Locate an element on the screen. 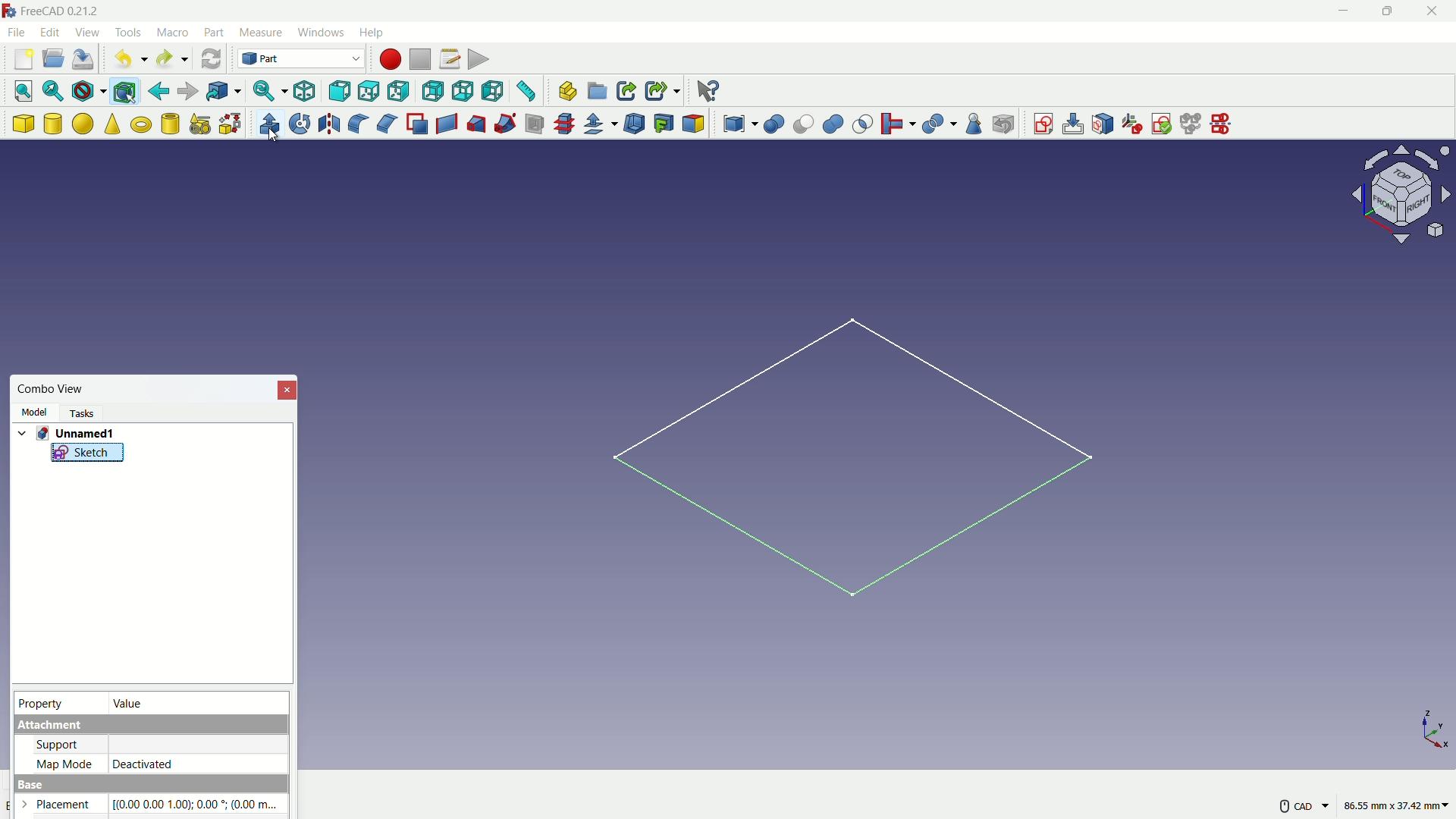  make face from wires is located at coordinates (418, 124).